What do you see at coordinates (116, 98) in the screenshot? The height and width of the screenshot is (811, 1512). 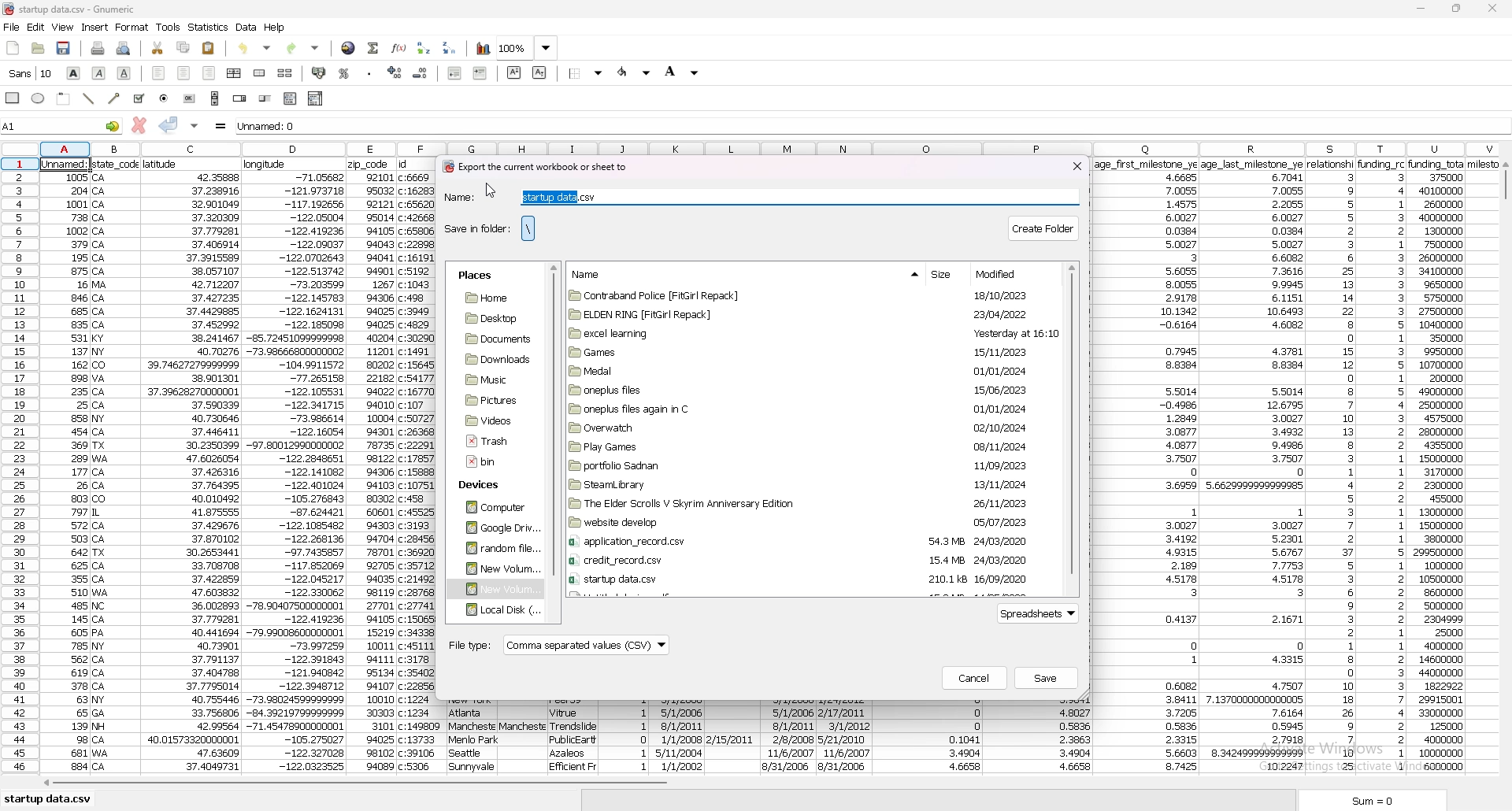 I see `arrowed line` at bounding box center [116, 98].